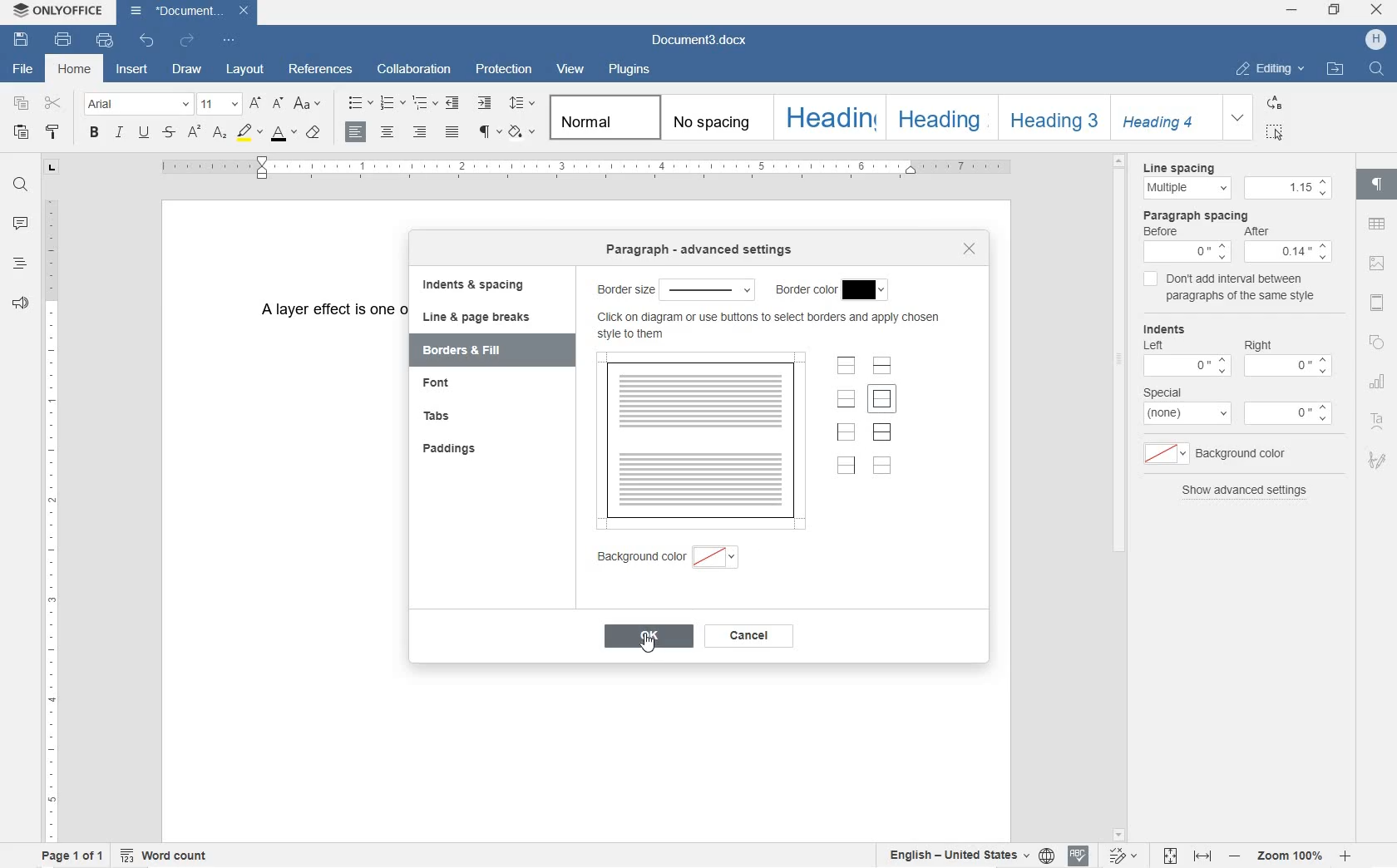 The height and width of the screenshot is (868, 1397). Describe the element at coordinates (309, 104) in the screenshot. I see `CHANGE CASE` at that location.